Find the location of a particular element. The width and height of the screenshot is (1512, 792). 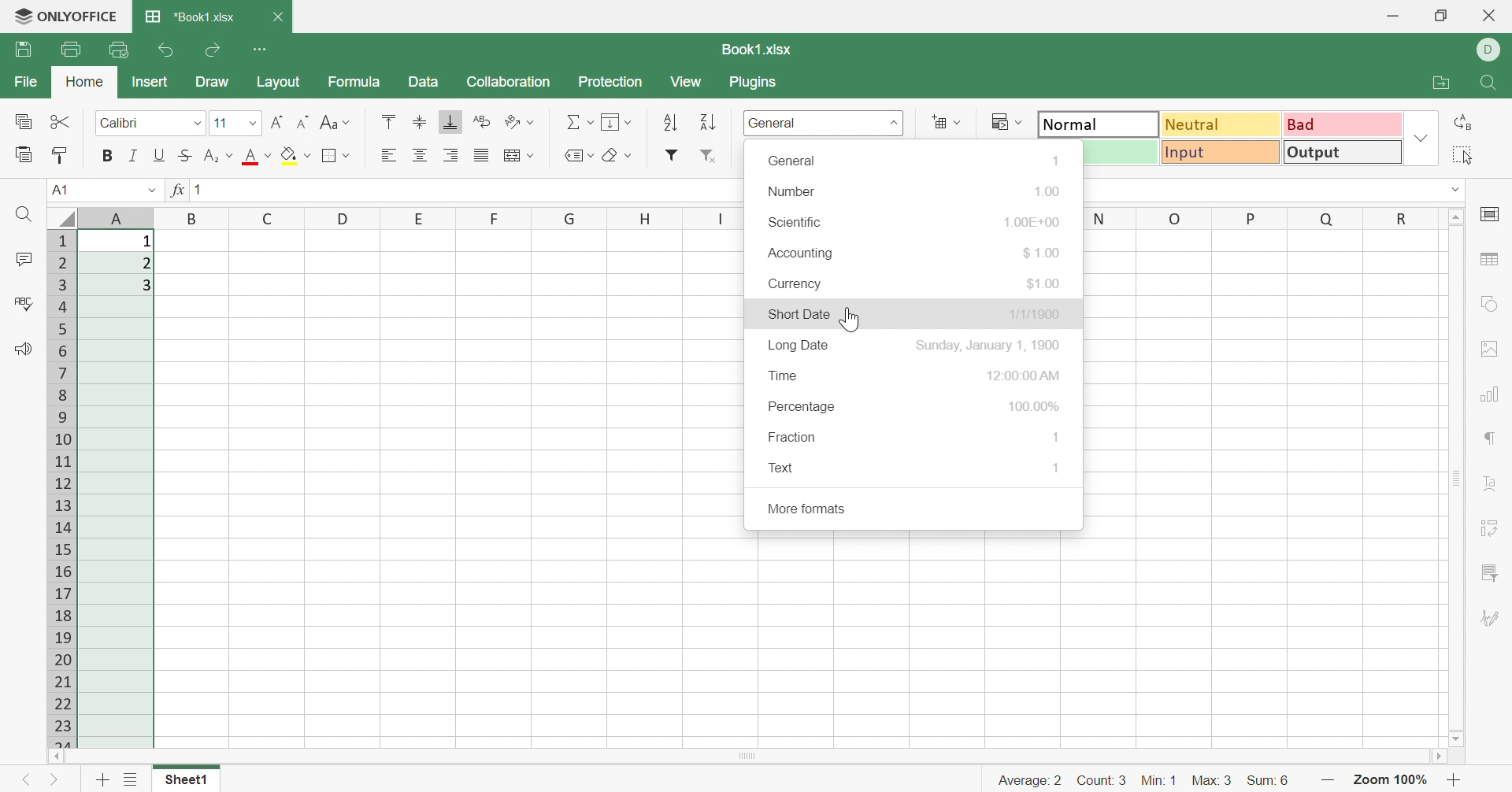

12:00:00 AM is located at coordinates (1025, 376).